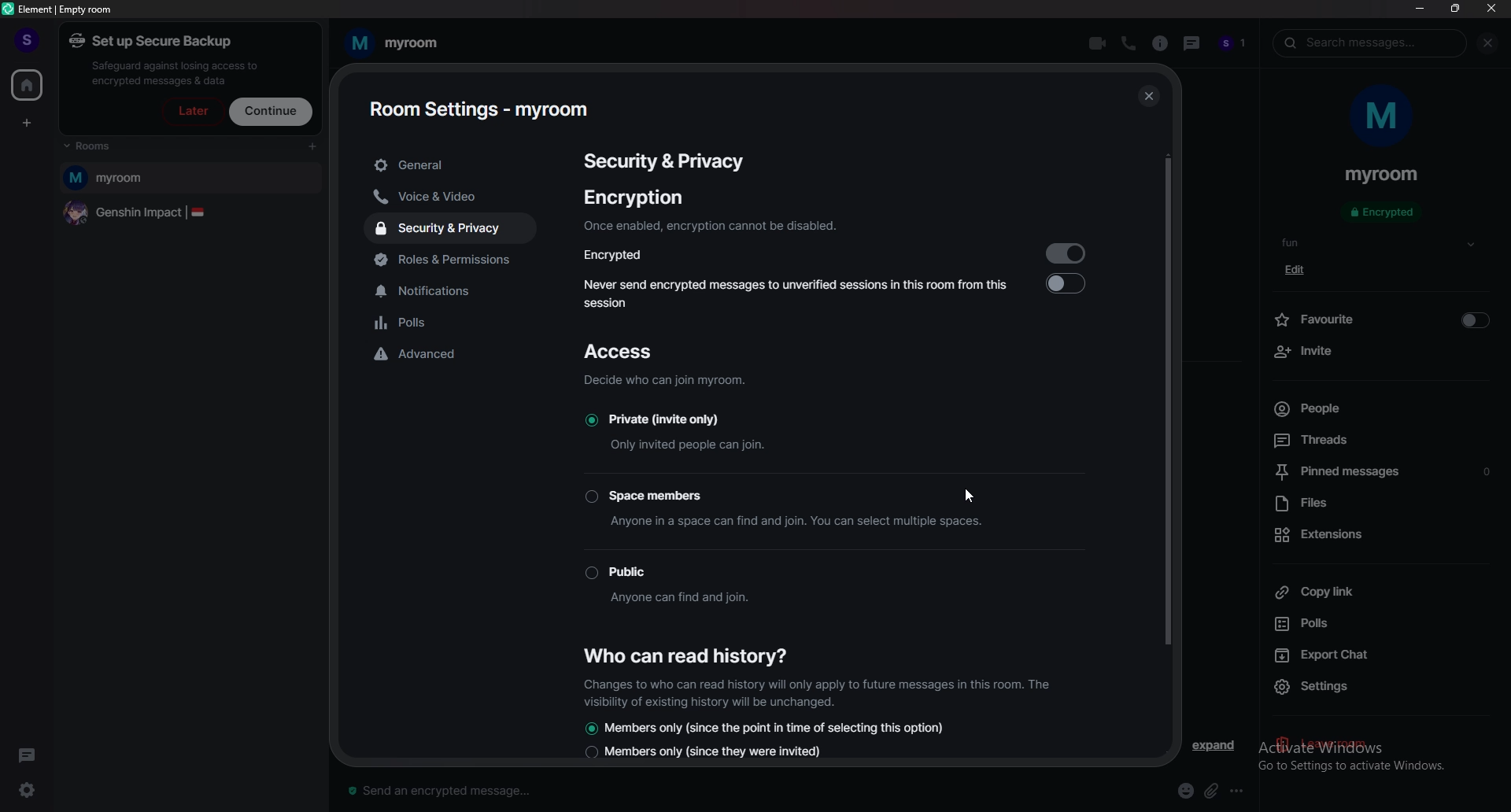 This screenshot has width=1511, height=812. I want to click on close, so click(1491, 9).